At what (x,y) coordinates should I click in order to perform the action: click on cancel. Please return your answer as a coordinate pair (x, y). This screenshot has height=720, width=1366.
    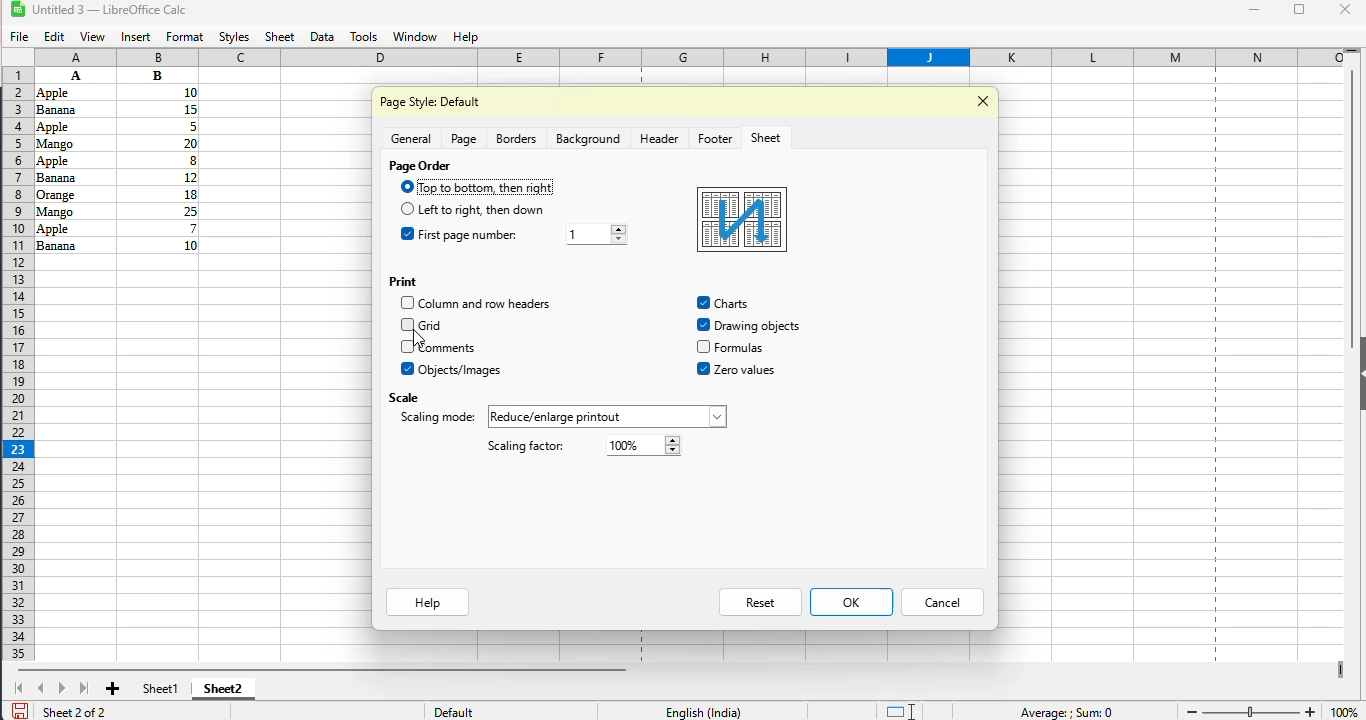
    Looking at the image, I should click on (942, 603).